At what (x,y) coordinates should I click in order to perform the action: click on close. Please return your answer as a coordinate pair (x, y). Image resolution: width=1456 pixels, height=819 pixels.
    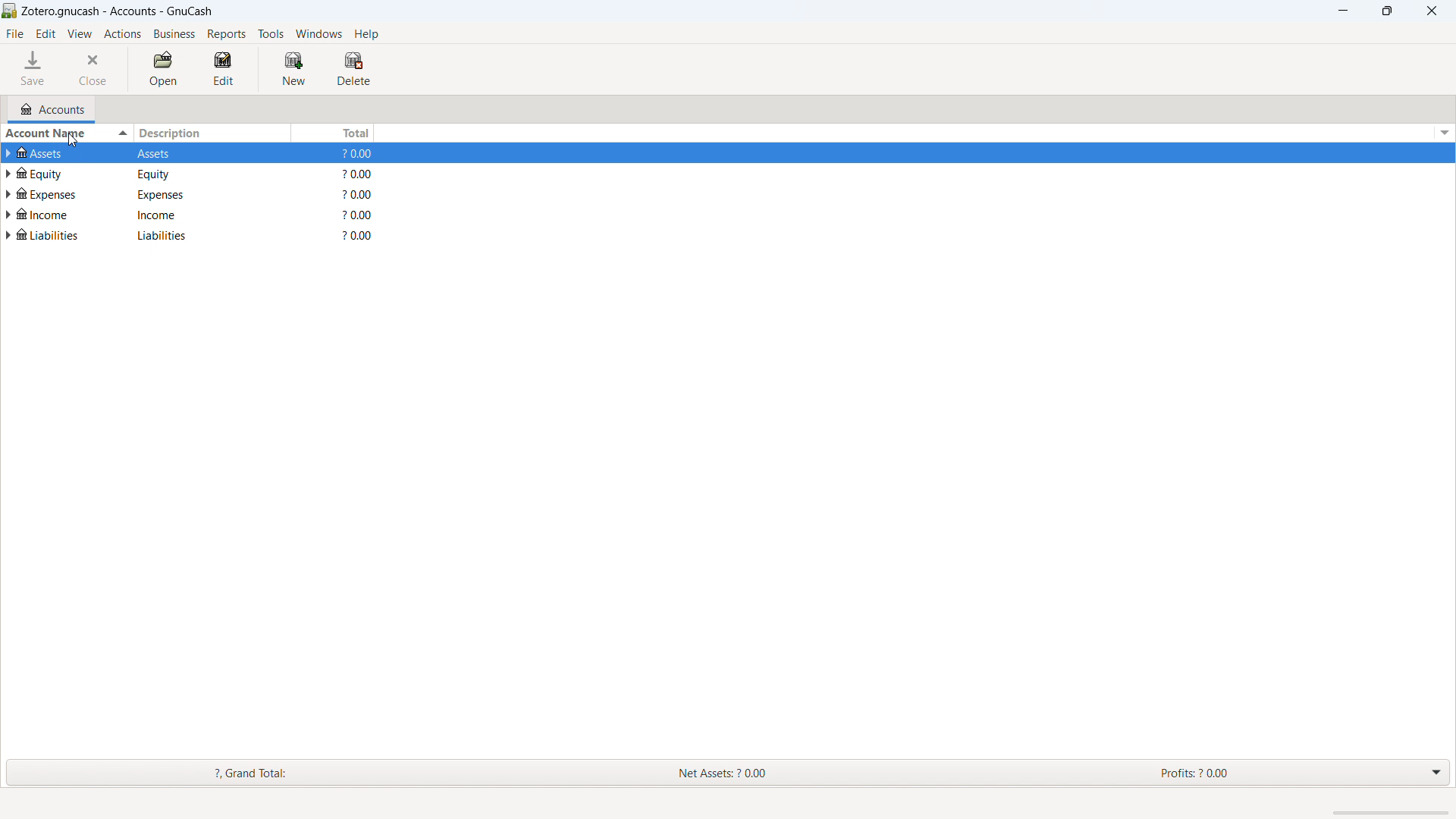
    Looking at the image, I should click on (1430, 11).